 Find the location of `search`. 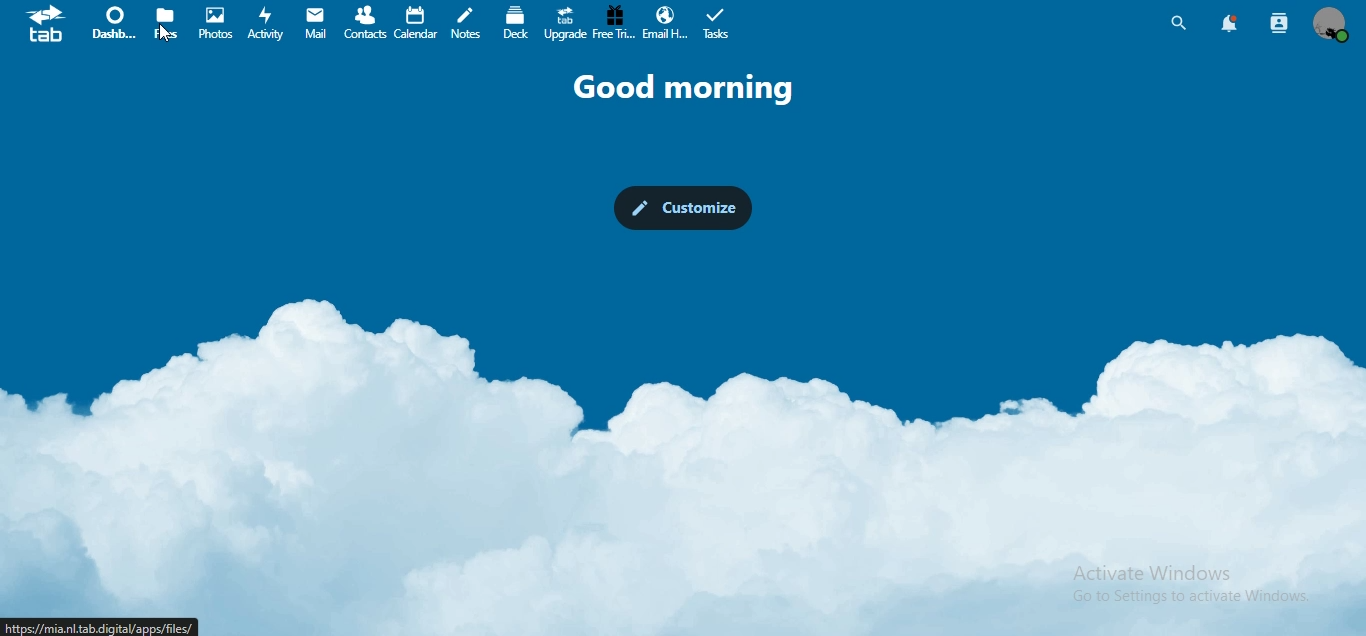

search is located at coordinates (1179, 23).